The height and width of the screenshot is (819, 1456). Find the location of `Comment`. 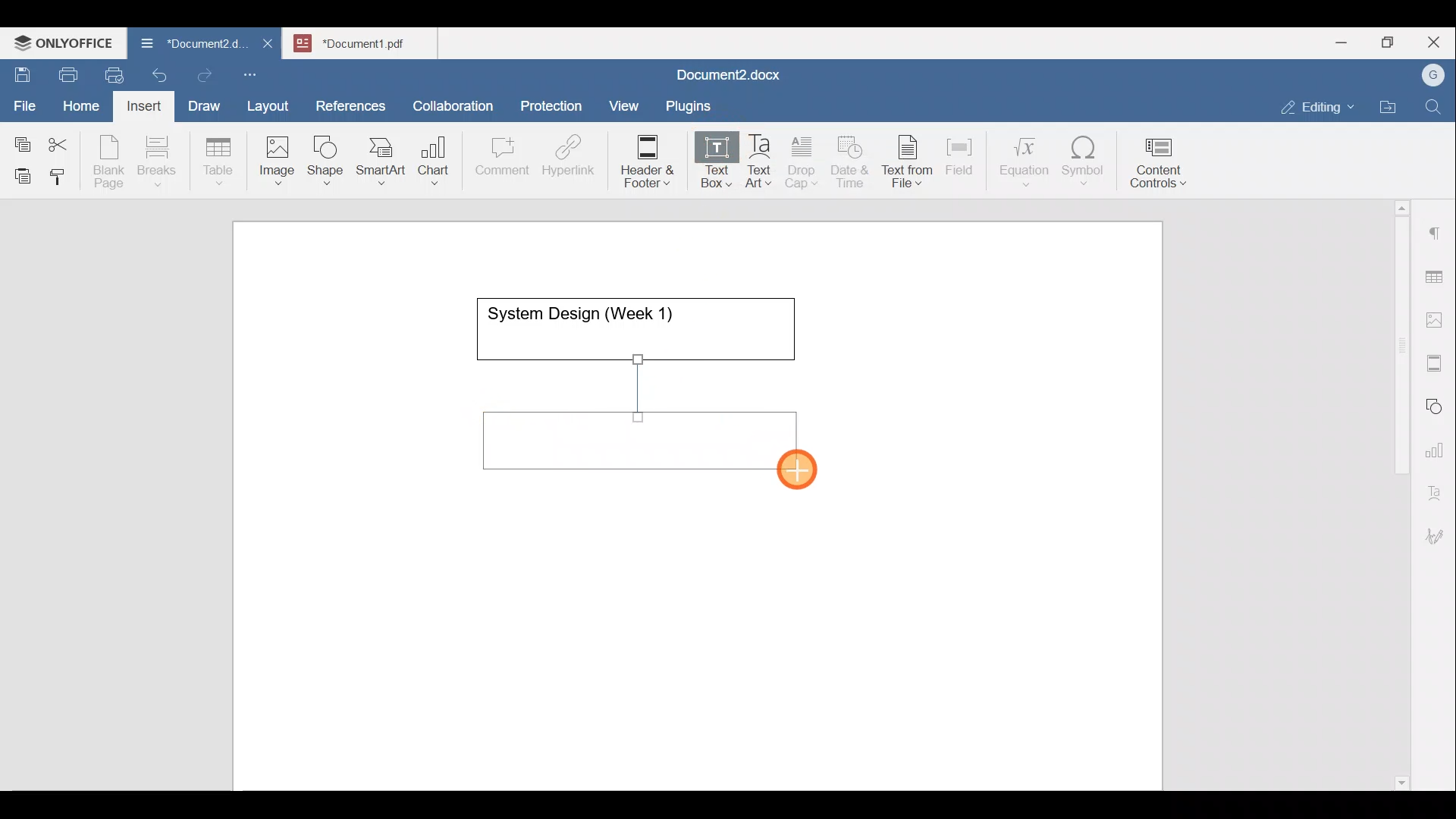

Comment is located at coordinates (497, 160).